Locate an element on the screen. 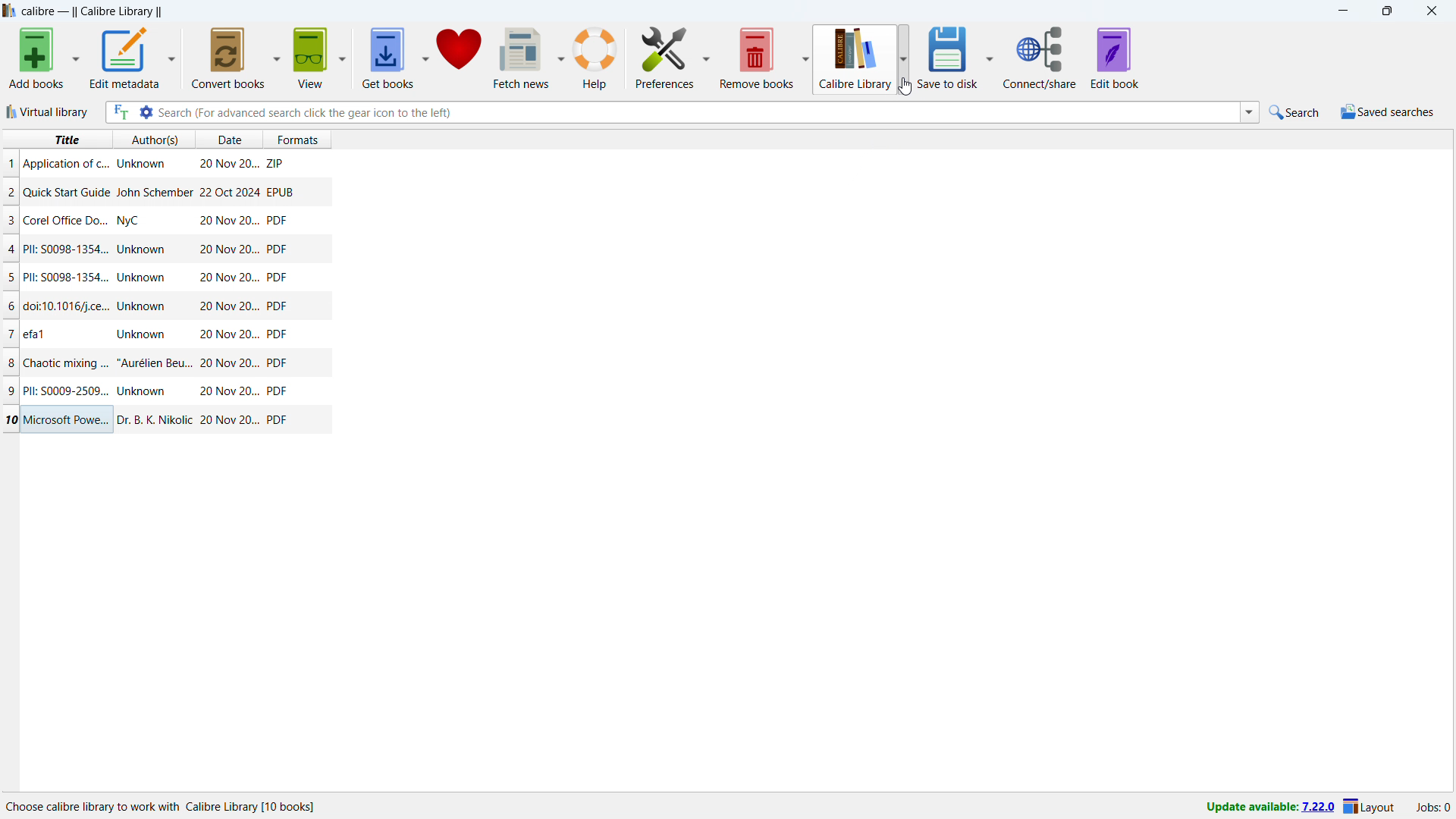  get books is located at coordinates (387, 58).